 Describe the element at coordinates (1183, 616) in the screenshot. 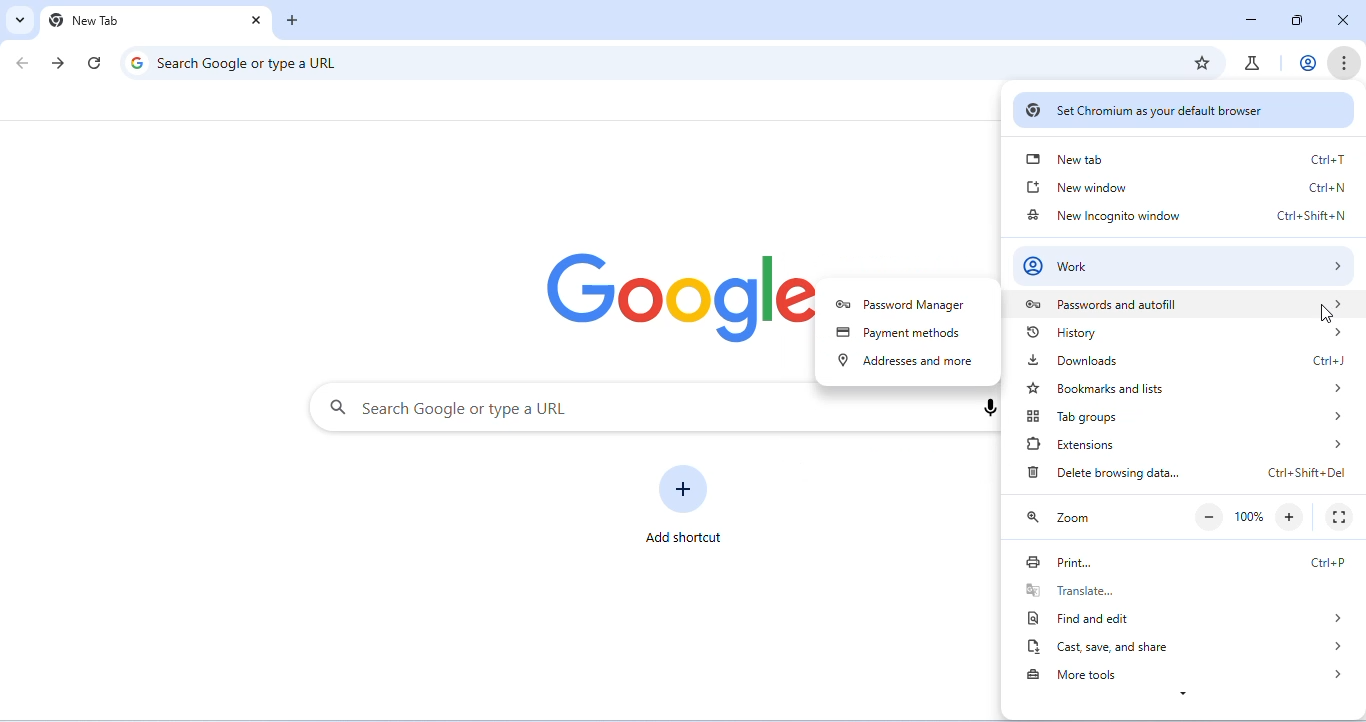

I see `find and edit` at that location.